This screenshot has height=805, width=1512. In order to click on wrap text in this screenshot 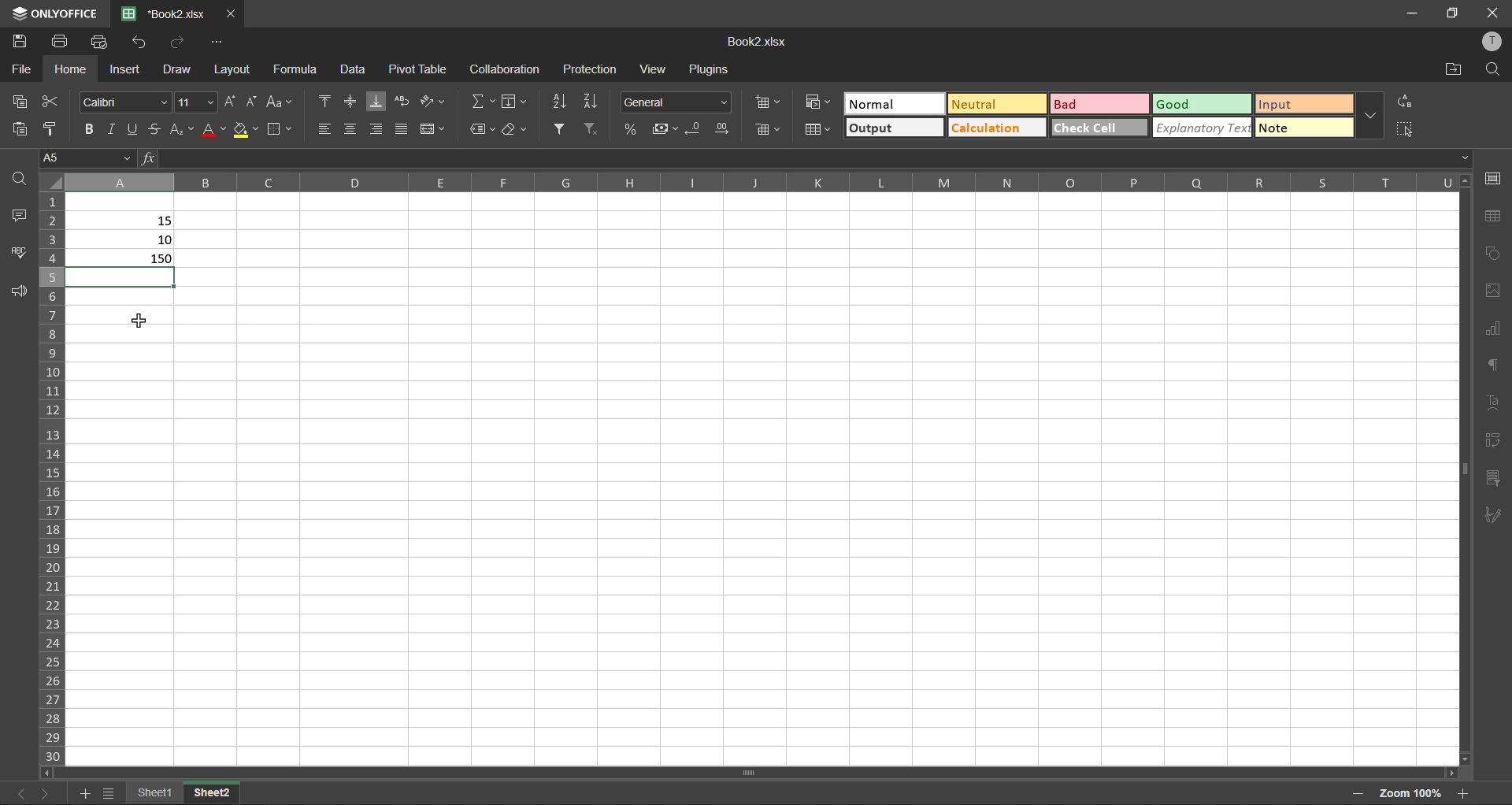, I will do `click(401, 101)`.